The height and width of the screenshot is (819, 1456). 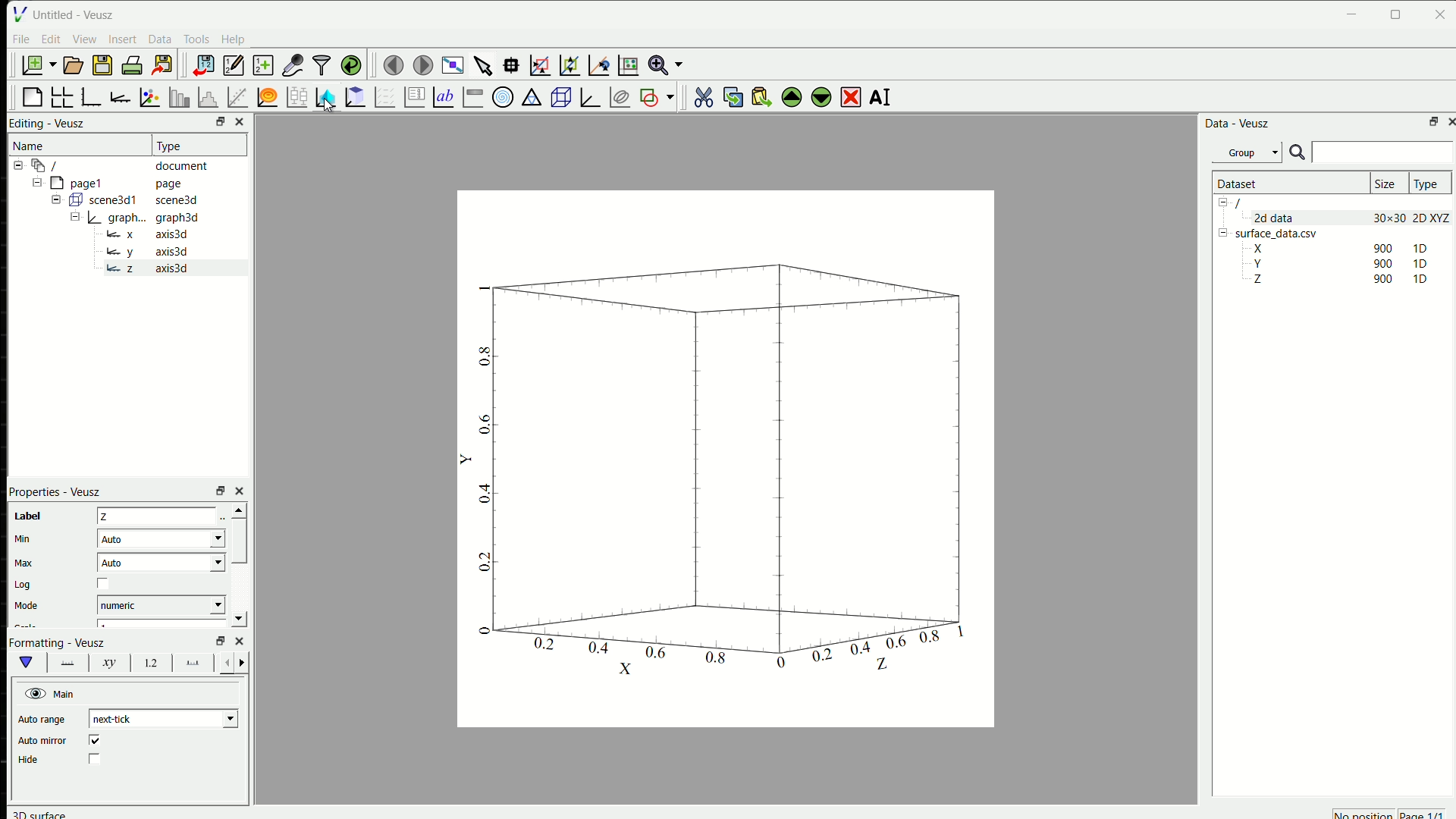 What do you see at coordinates (1427, 184) in the screenshot?
I see `Type` at bounding box center [1427, 184].